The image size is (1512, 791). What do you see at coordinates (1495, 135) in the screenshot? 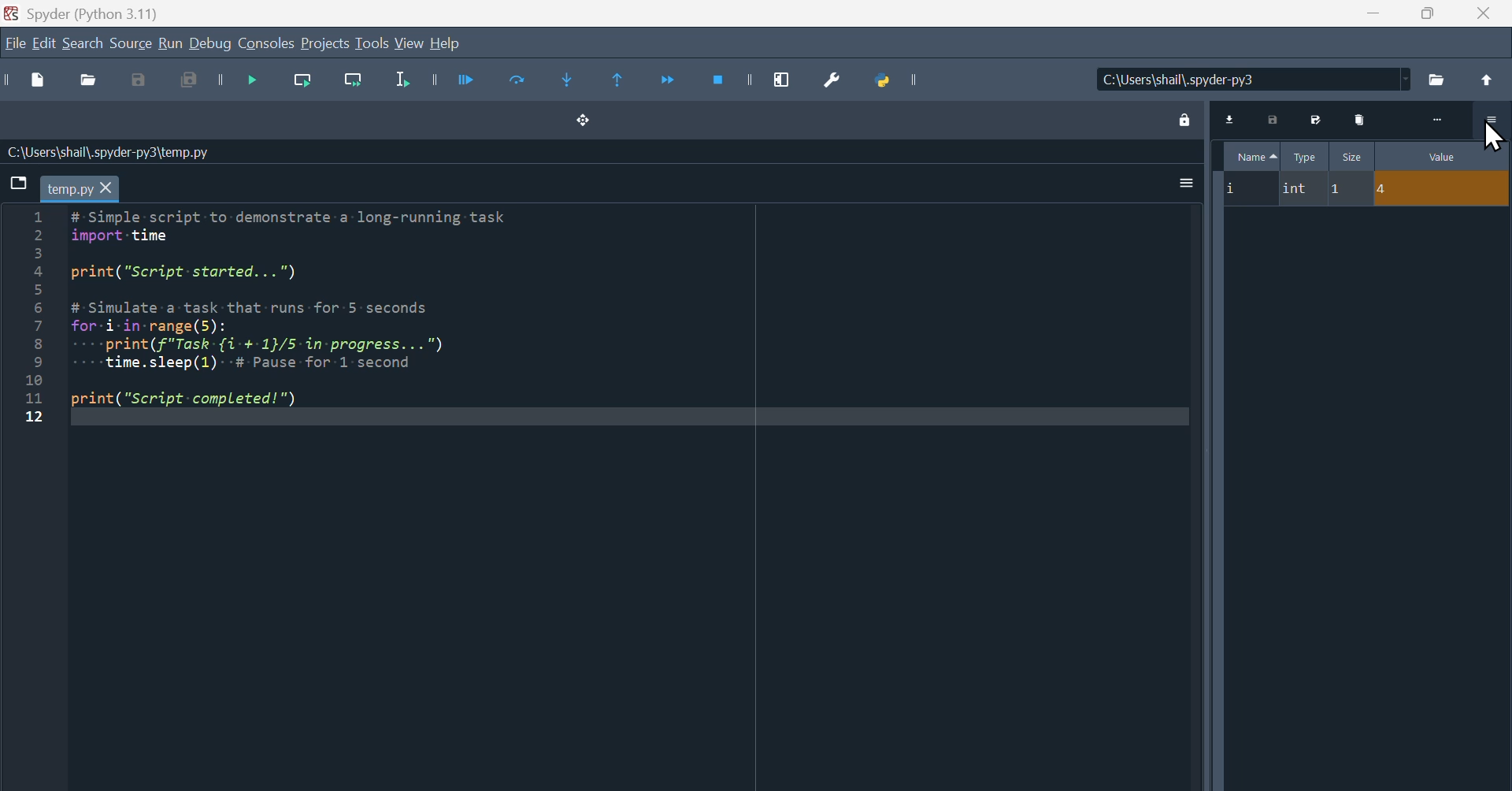
I see `Cursor` at bounding box center [1495, 135].